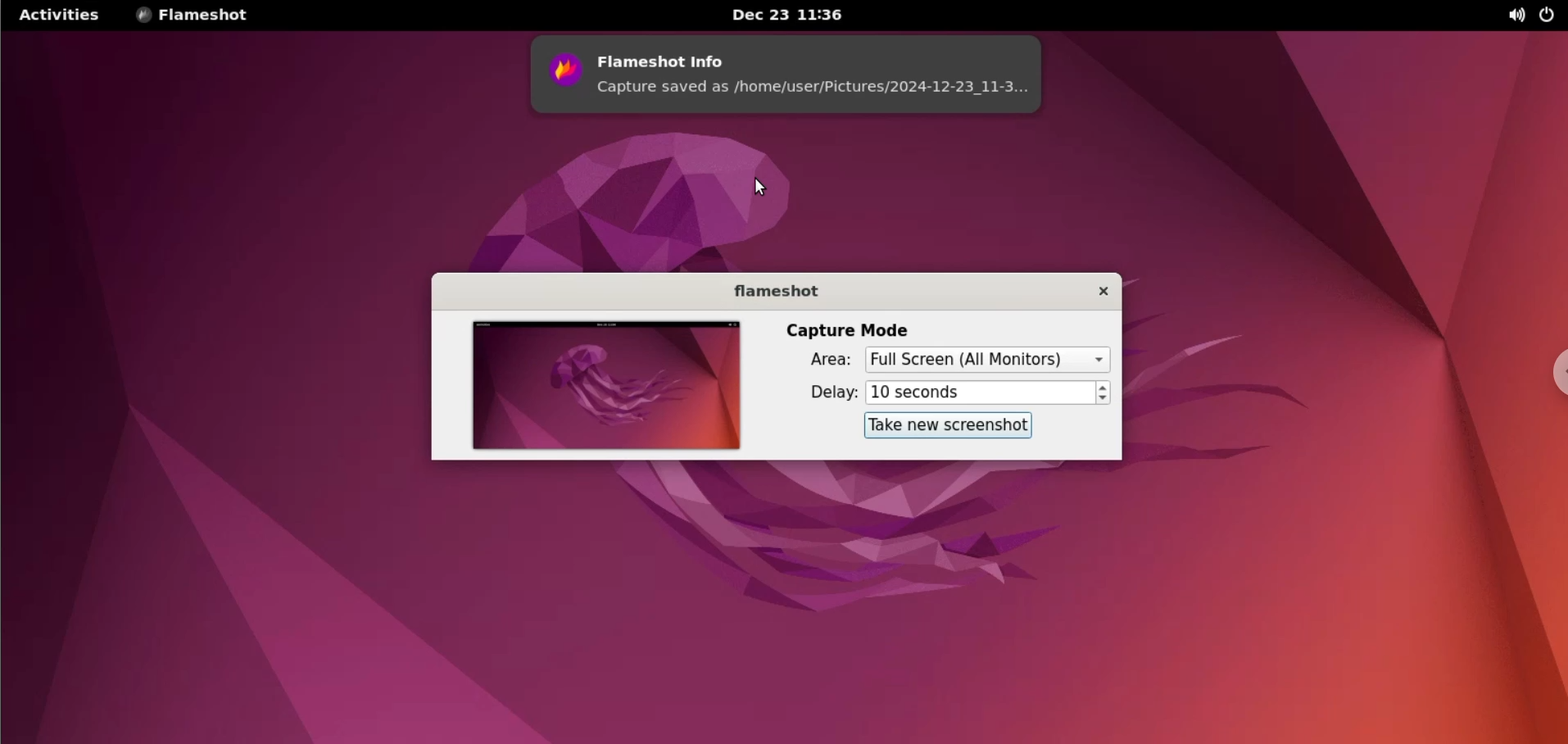 This screenshot has height=744, width=1568. I want to click on take new screenshot, so click(945, 425).